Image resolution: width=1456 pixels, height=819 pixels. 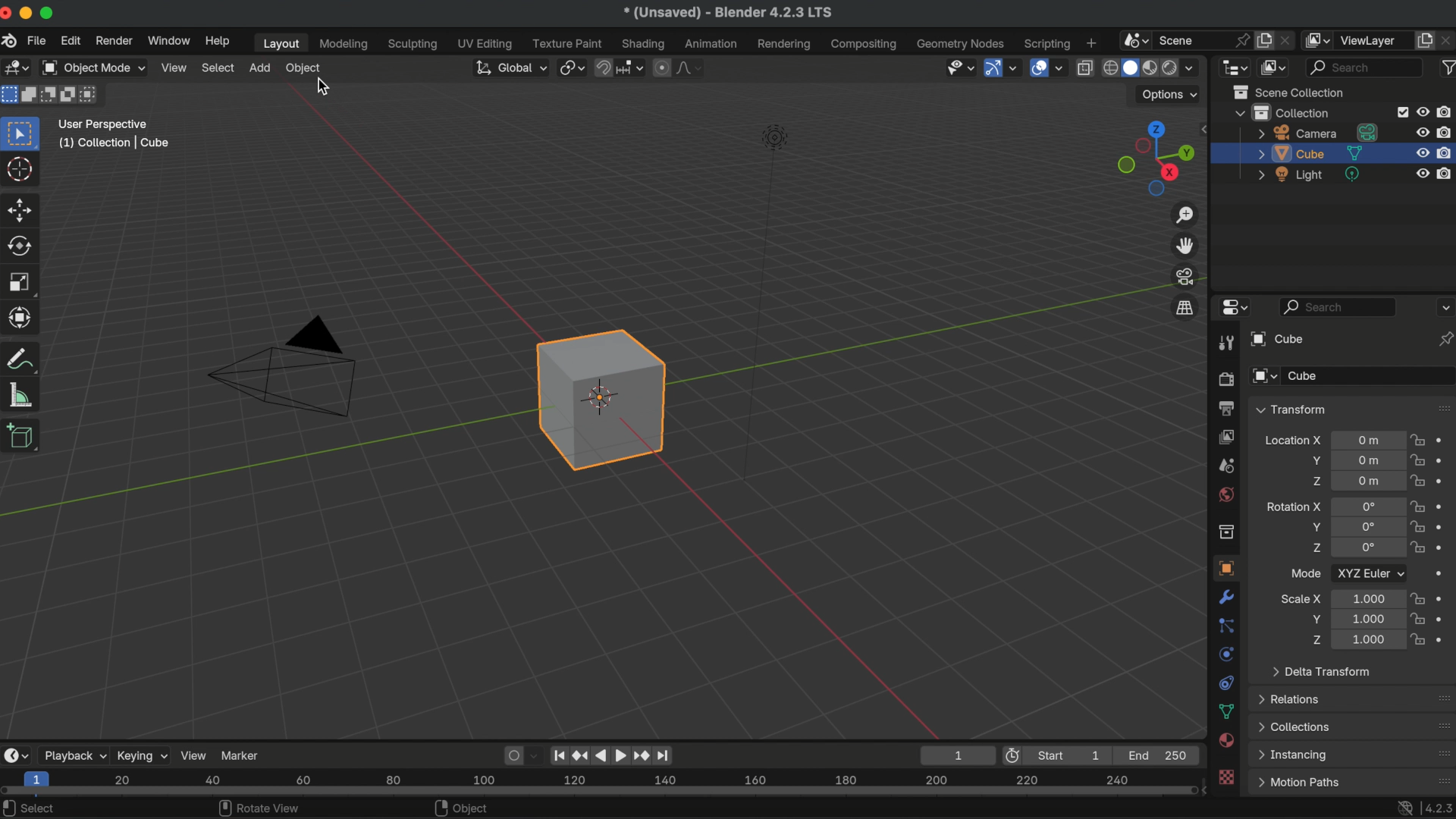 I want to click on D triangle, so click(x=284, y=364).